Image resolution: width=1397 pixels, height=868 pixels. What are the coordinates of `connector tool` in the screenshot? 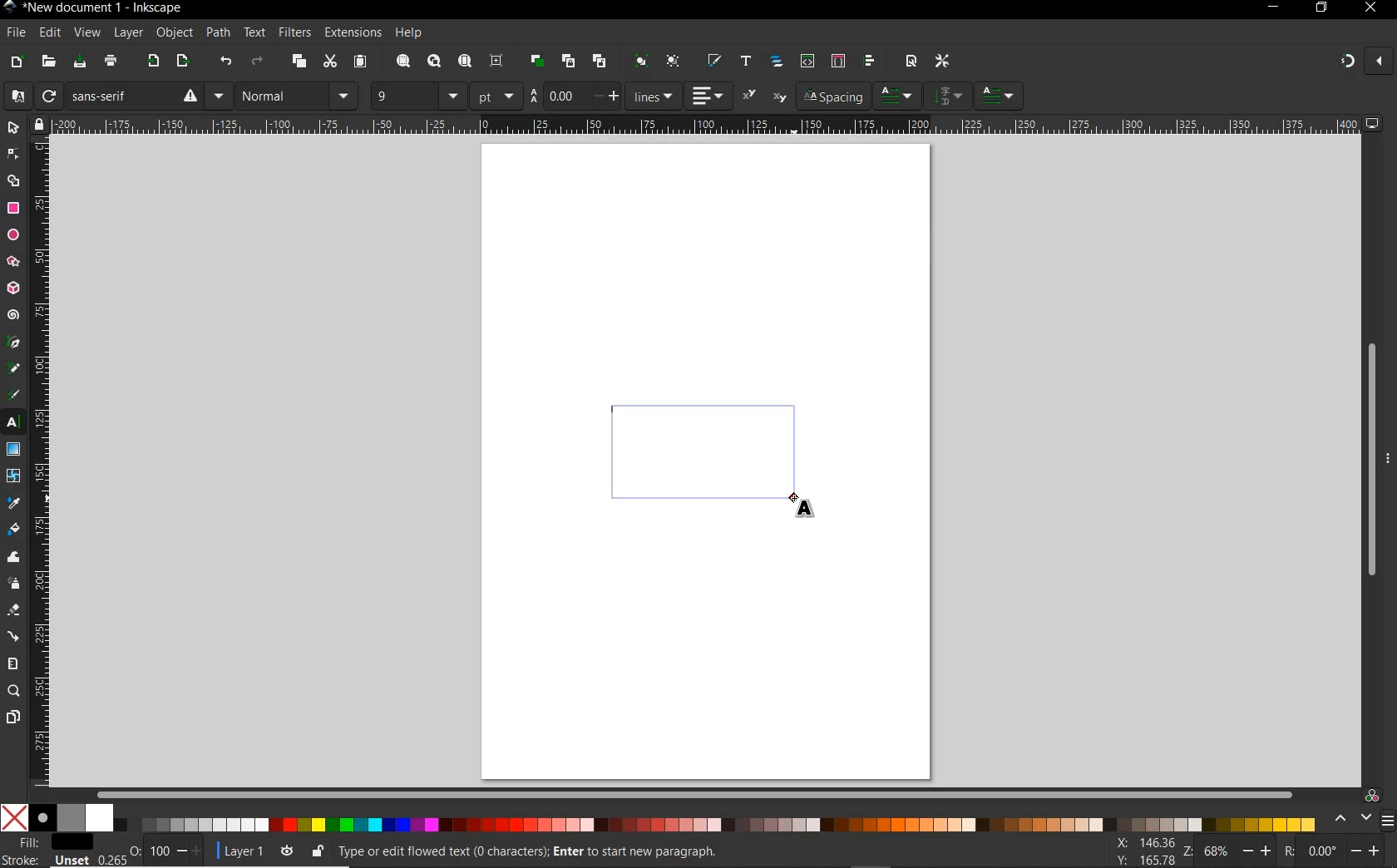 It's located at (15, 638).